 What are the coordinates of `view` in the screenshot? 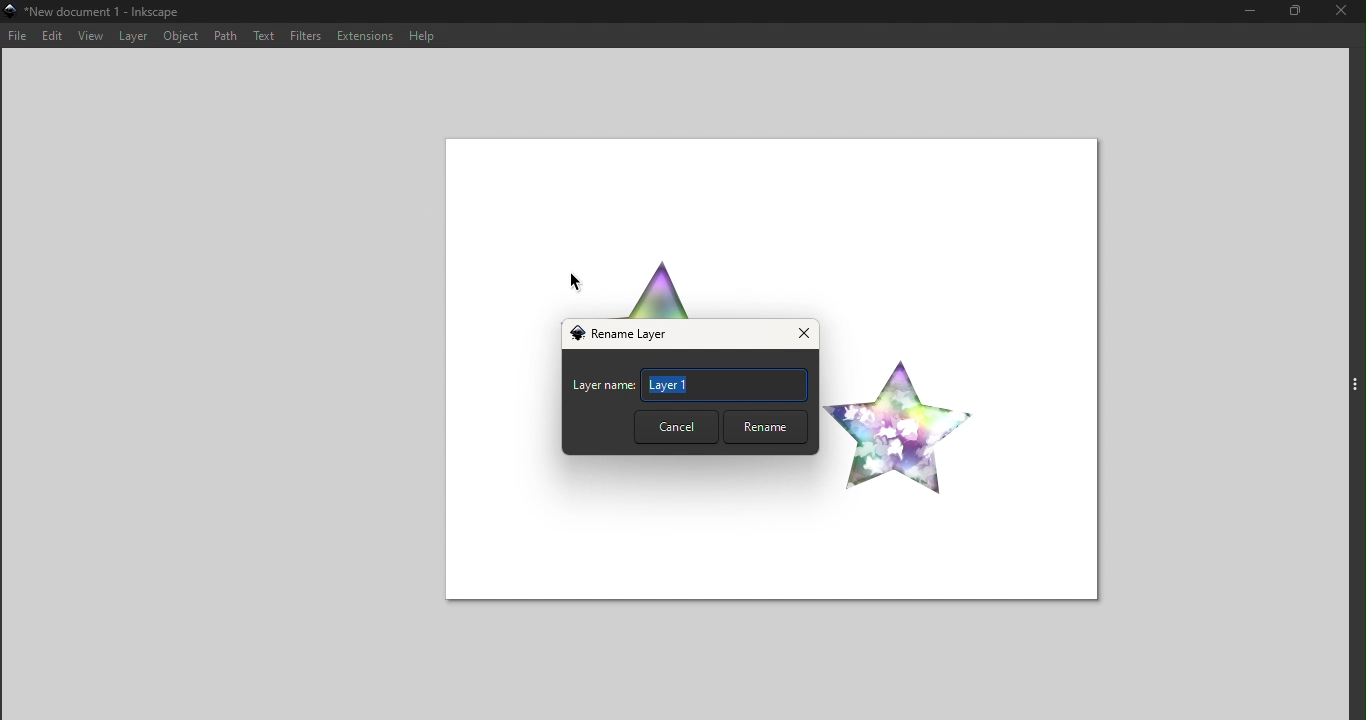 It's located at (87, 37).